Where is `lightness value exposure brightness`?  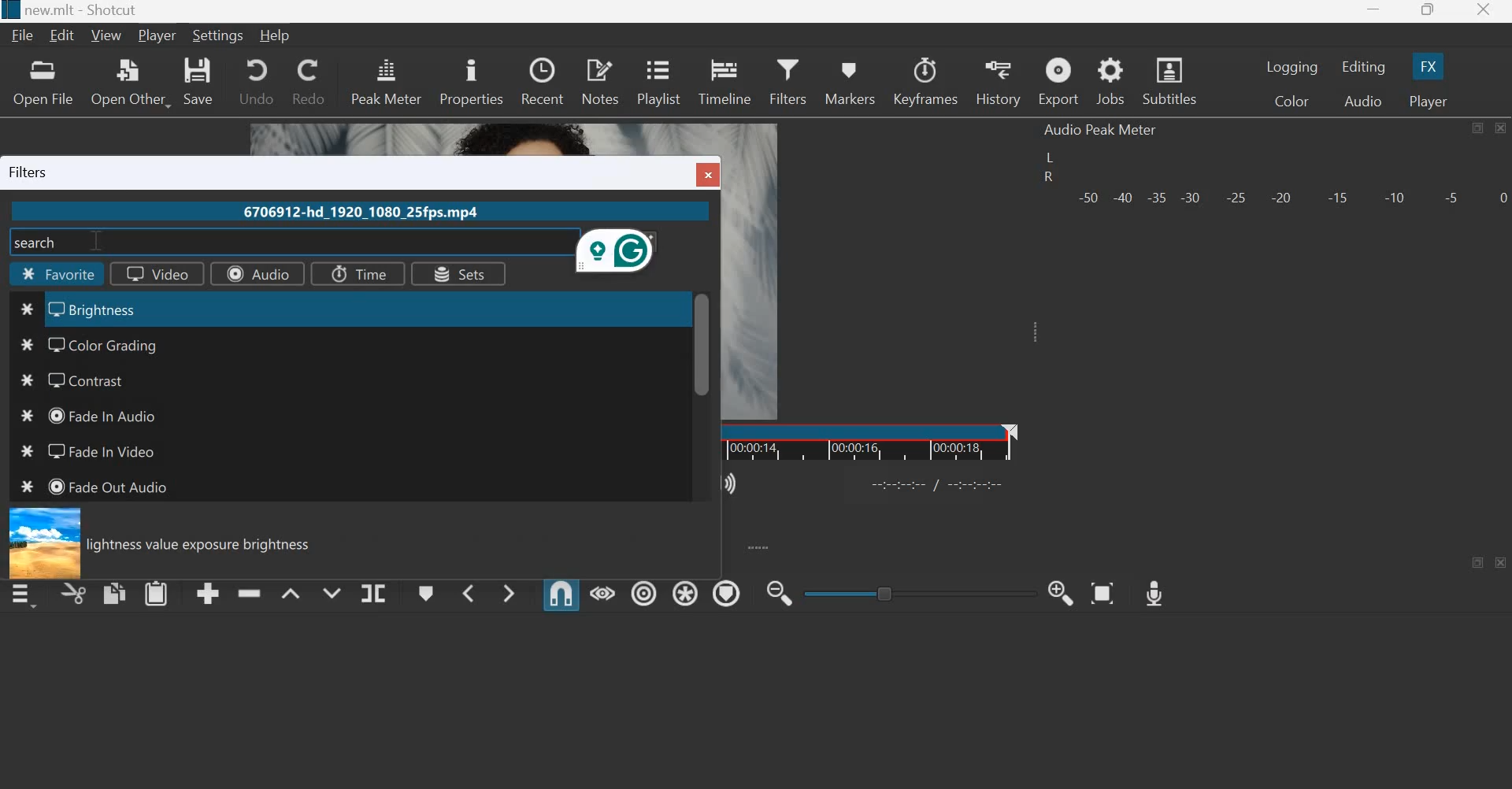
lightness value exposure brightness is located at coordinates (206, 546).